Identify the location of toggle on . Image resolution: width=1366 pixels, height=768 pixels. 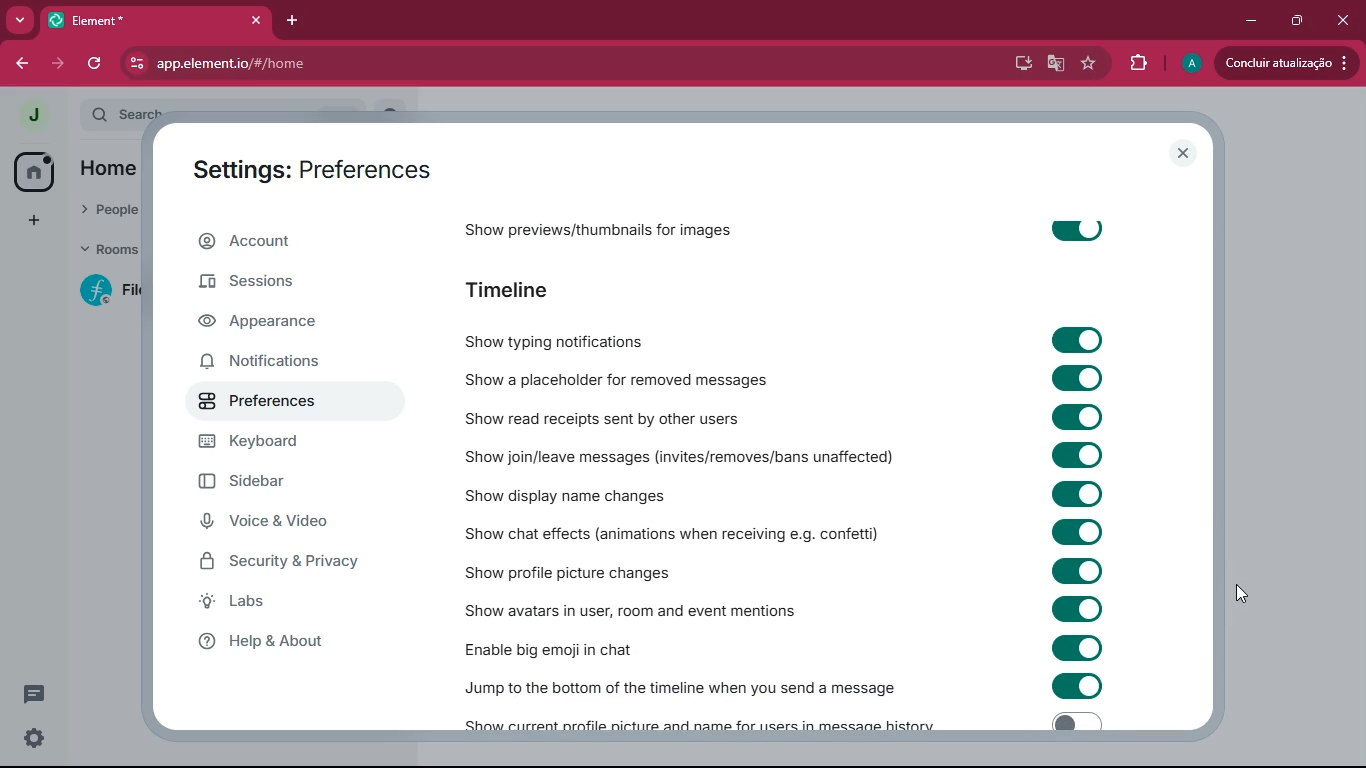
(1081, 609).